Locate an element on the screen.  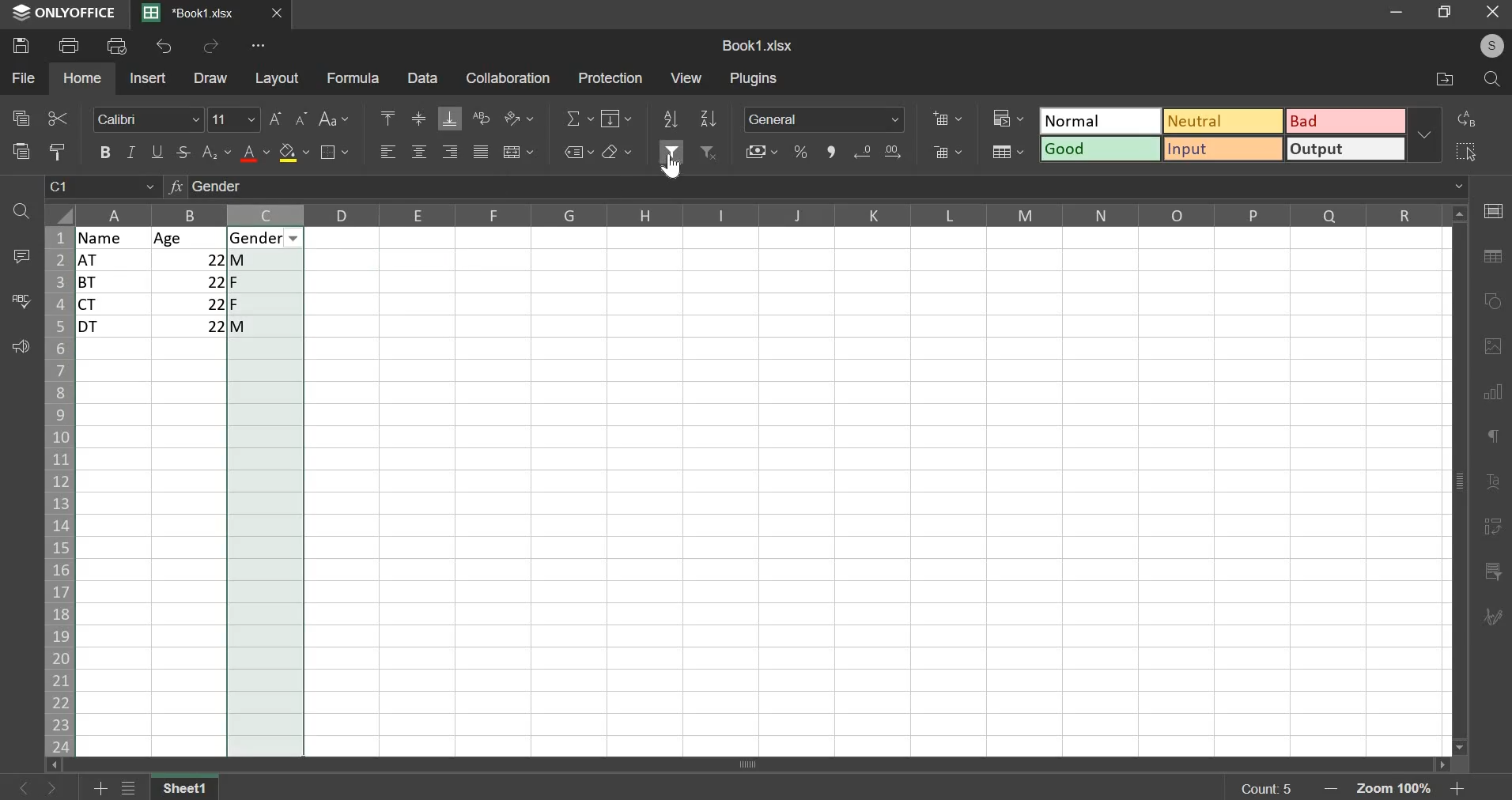
increase decimal is located at coordinates (891, 151).